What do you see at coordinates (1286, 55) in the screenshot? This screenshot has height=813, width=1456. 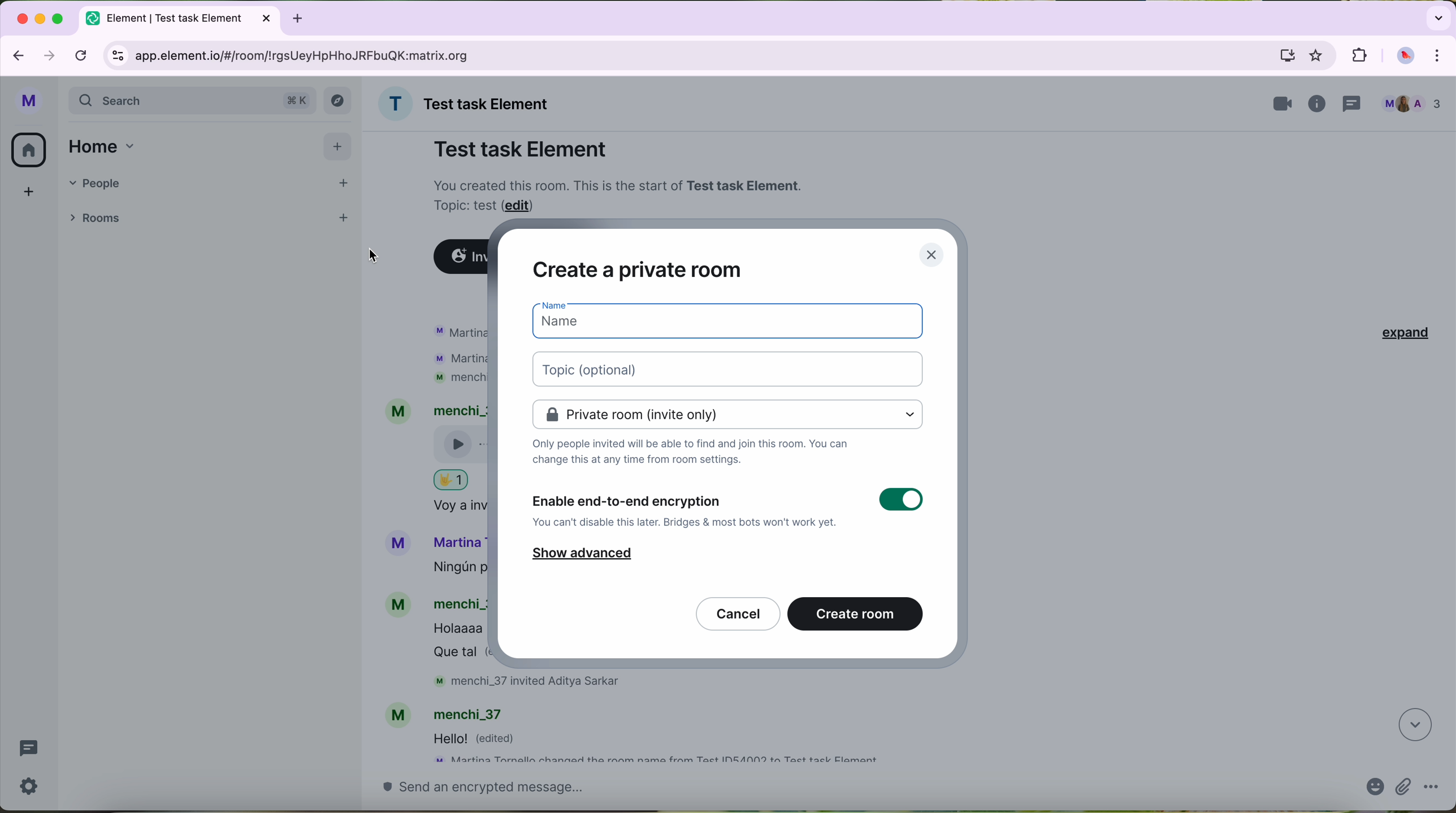 I see `computer` at bounding box center [1286, 55].